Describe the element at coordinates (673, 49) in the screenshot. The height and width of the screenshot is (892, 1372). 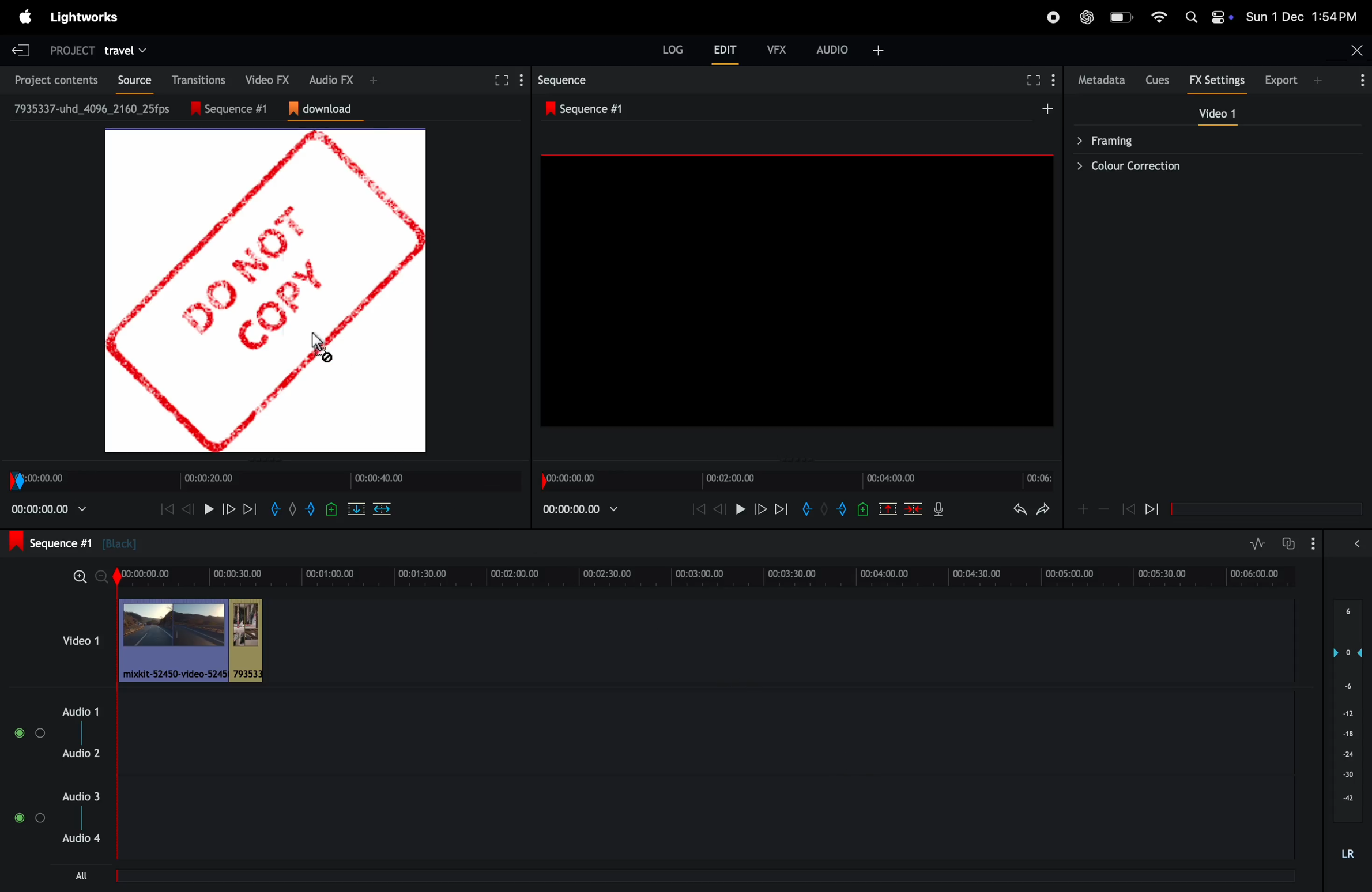
I see `log` at that location.